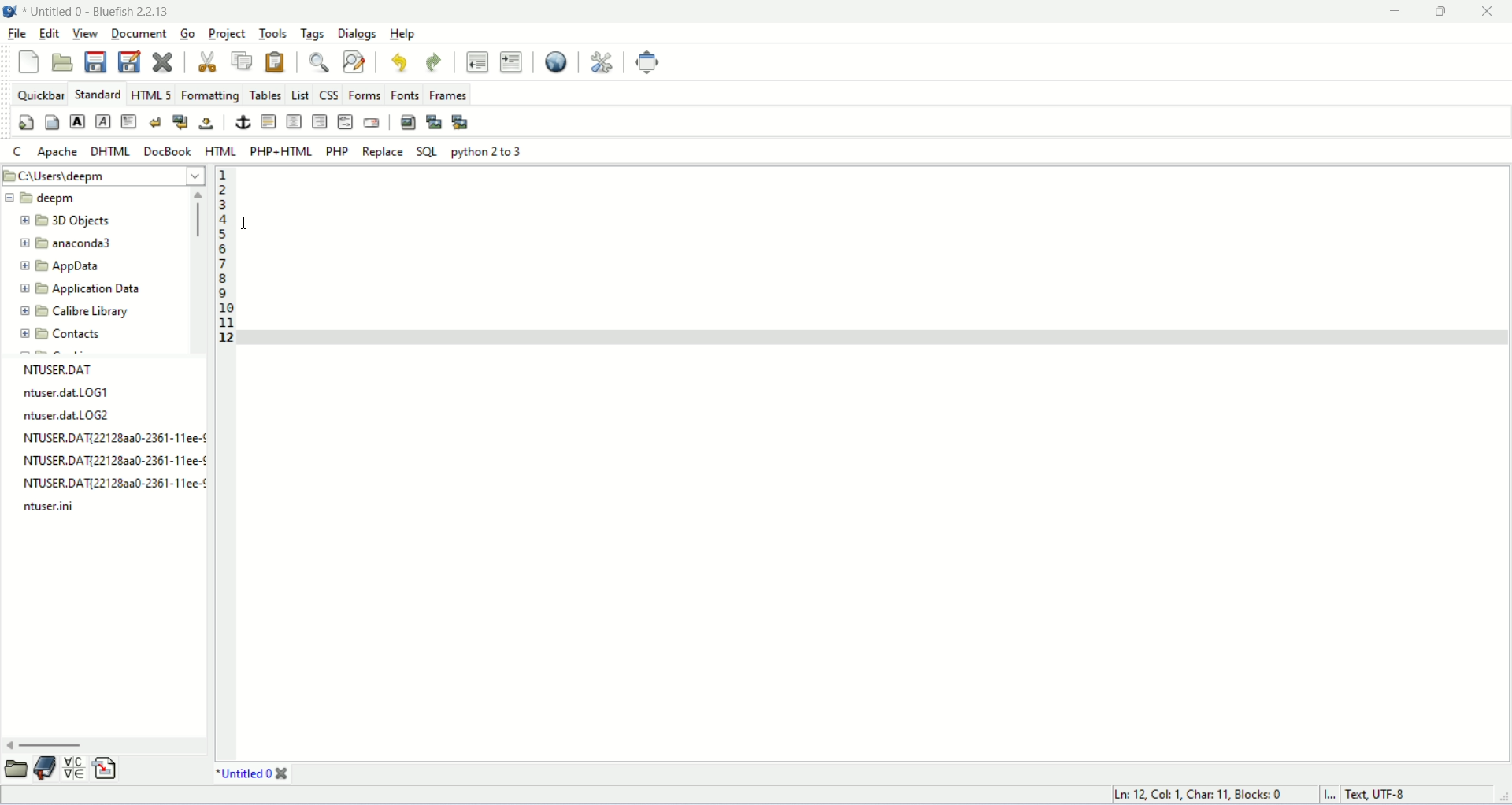 The height and width of the screenshot is (805, 1512). Describe the element at coordinates (223, 256) in the screenshot. I see `line number` at that location.